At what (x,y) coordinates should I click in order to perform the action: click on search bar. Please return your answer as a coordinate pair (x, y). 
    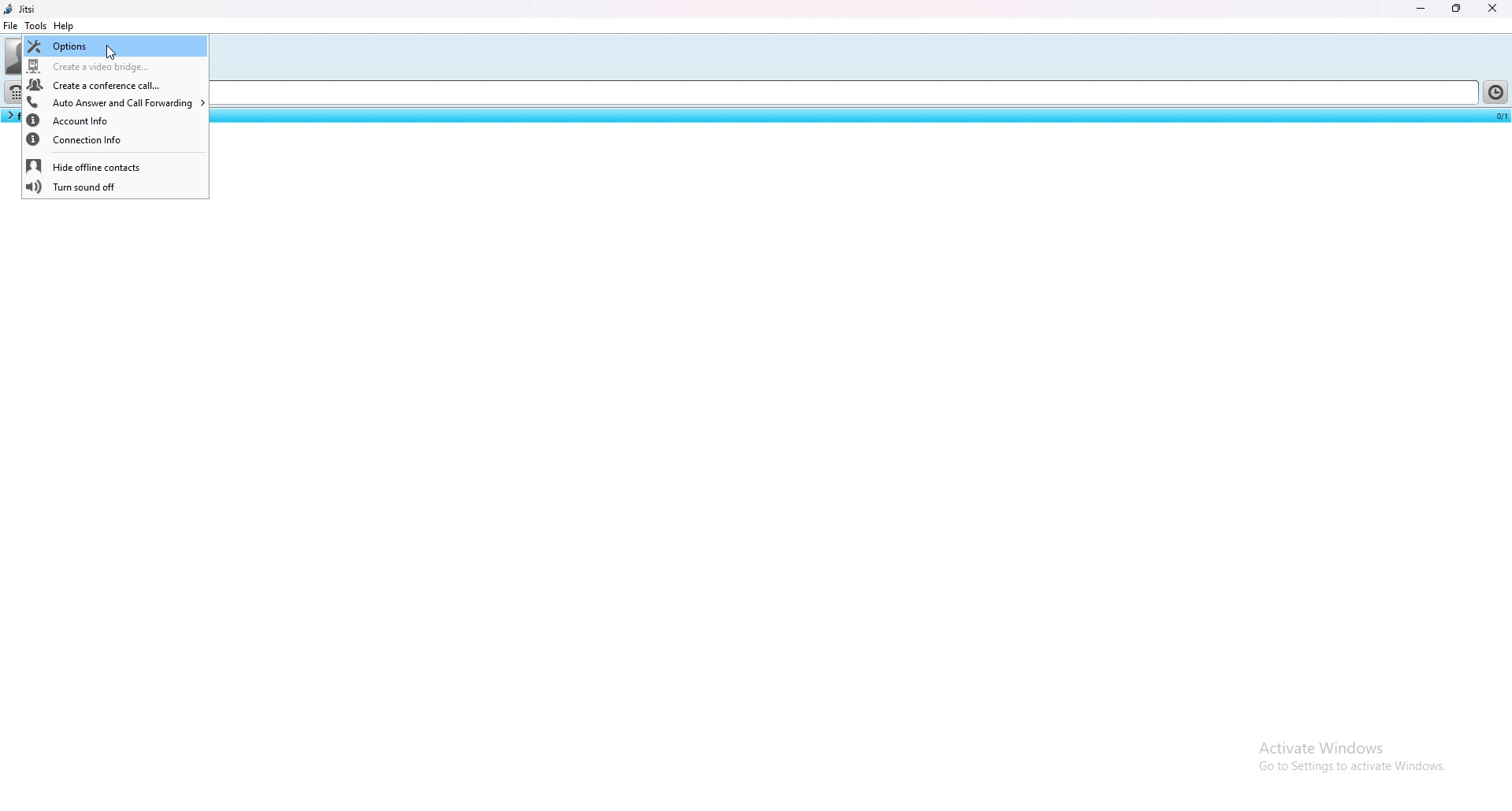
    Looking at the image, I should click on (849, 94).